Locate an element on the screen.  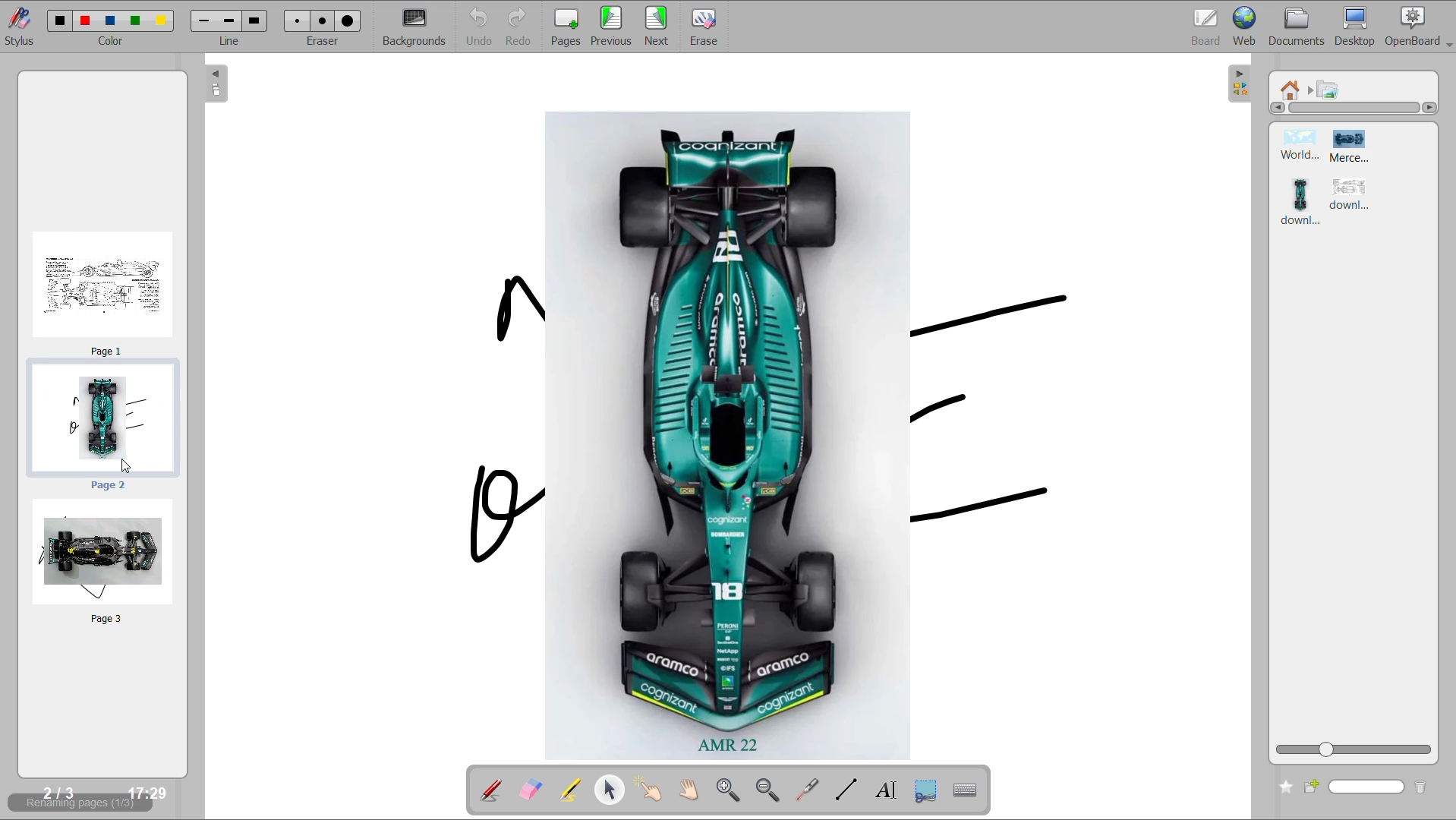
color 5 is located at coordinates (161, 20).